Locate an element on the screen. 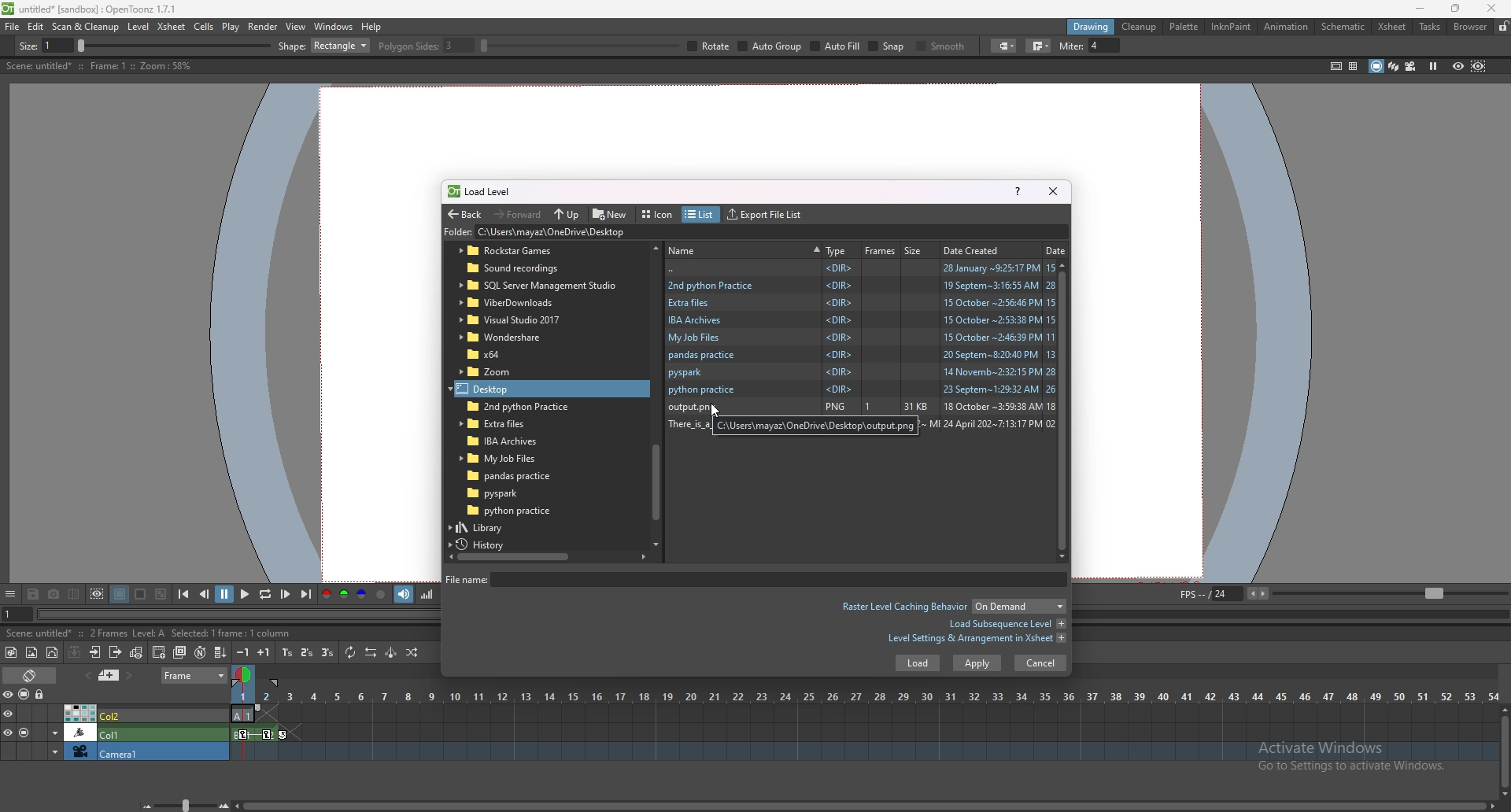  new vector level is located at coordinates (53, 653).